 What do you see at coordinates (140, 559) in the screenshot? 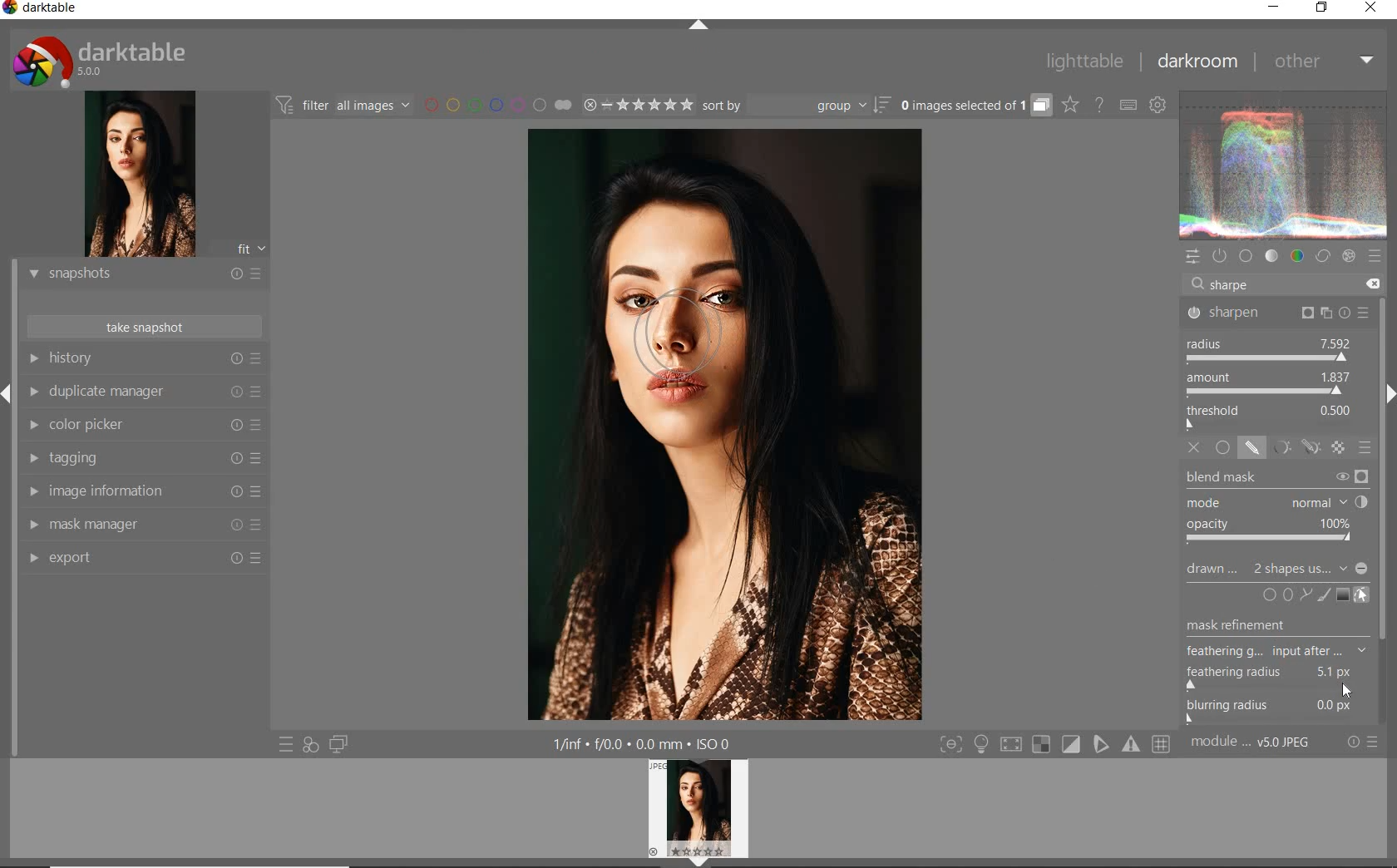
I see `EXPORT` at bounding box center [140, 559].